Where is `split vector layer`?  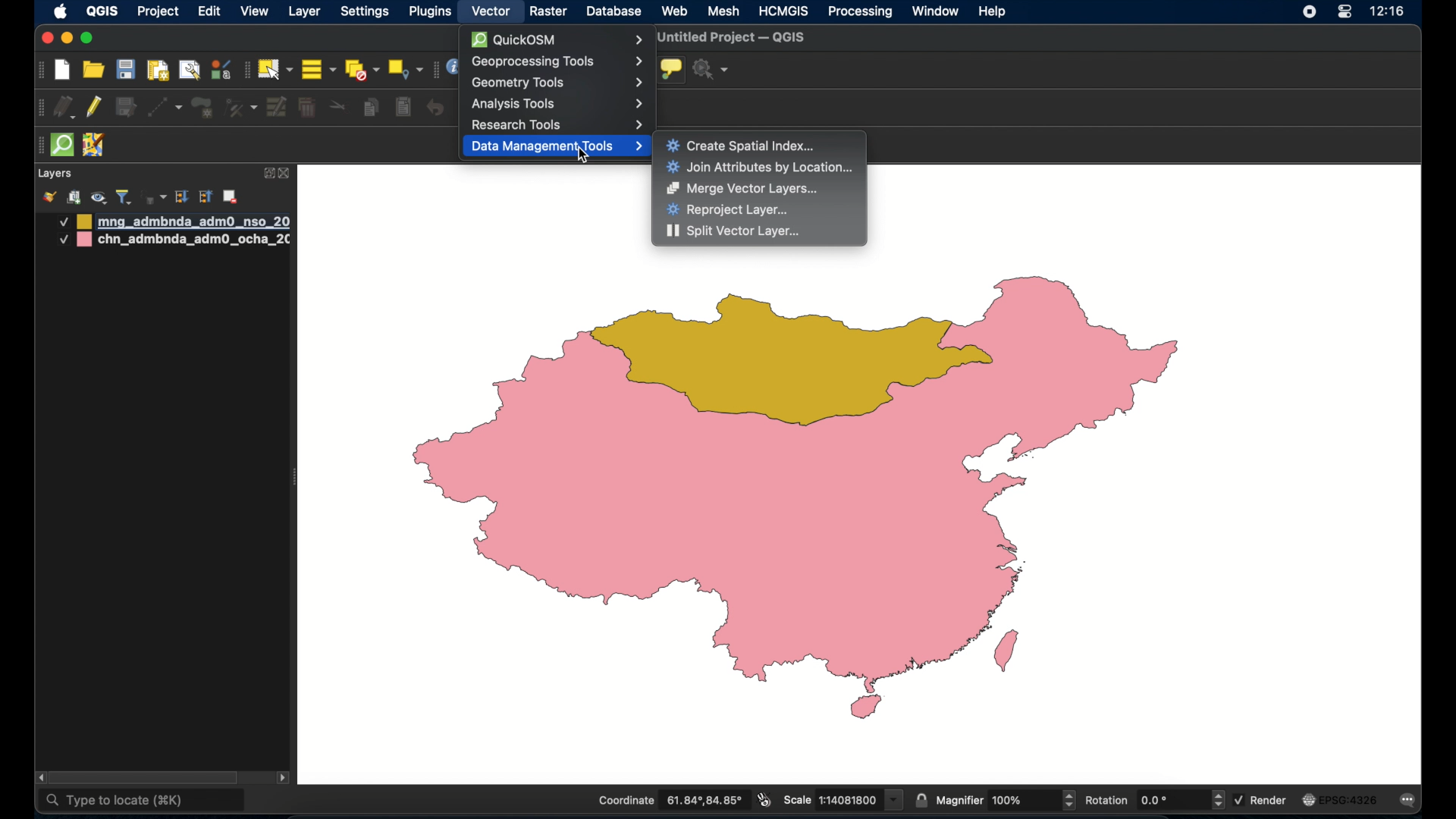
split vector layer is located at coordinates (734, 232).